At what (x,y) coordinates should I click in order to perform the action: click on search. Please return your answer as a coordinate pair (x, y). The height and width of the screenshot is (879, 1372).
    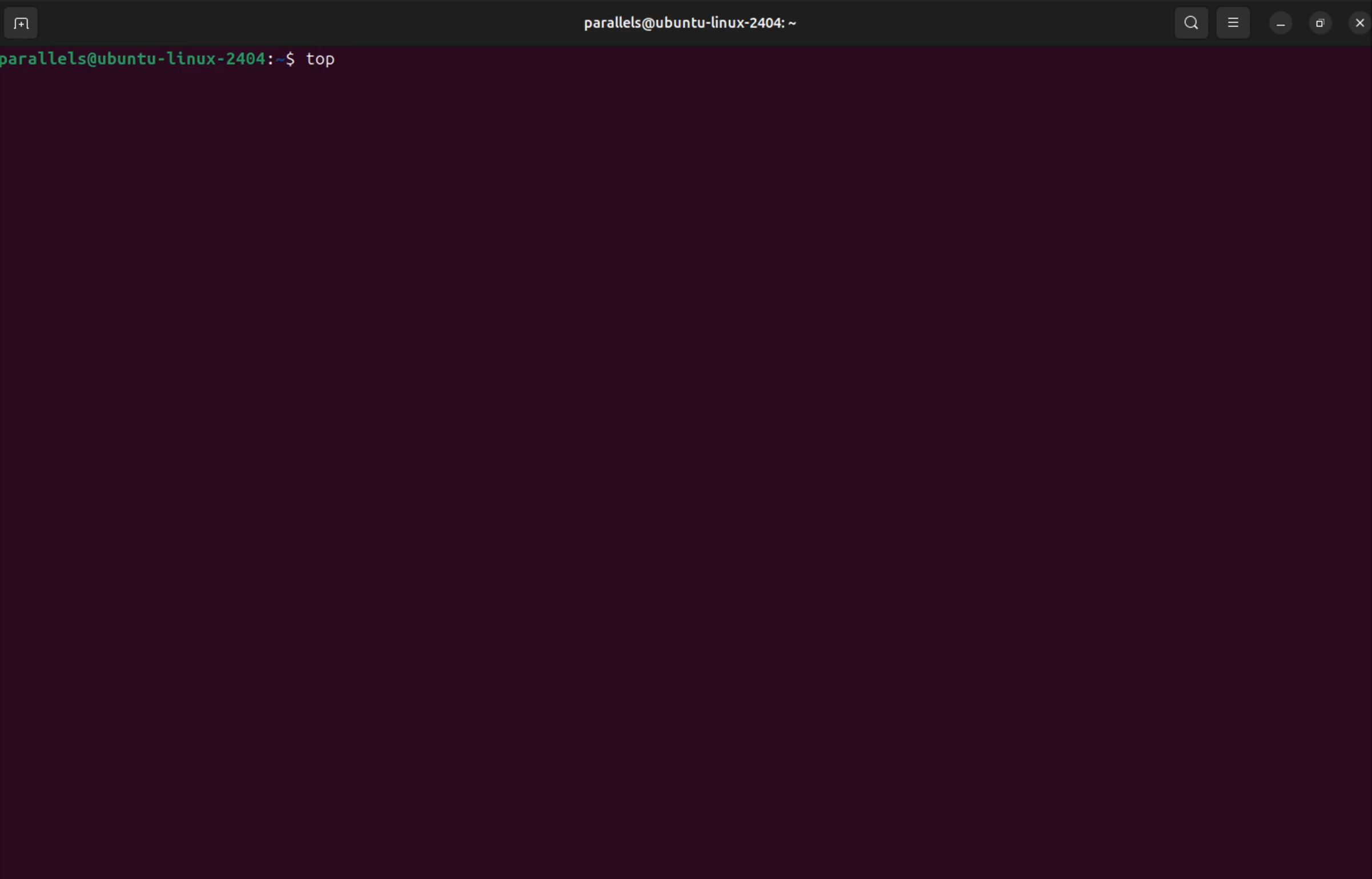
    Looking at the image, I should click on (1192, 21).